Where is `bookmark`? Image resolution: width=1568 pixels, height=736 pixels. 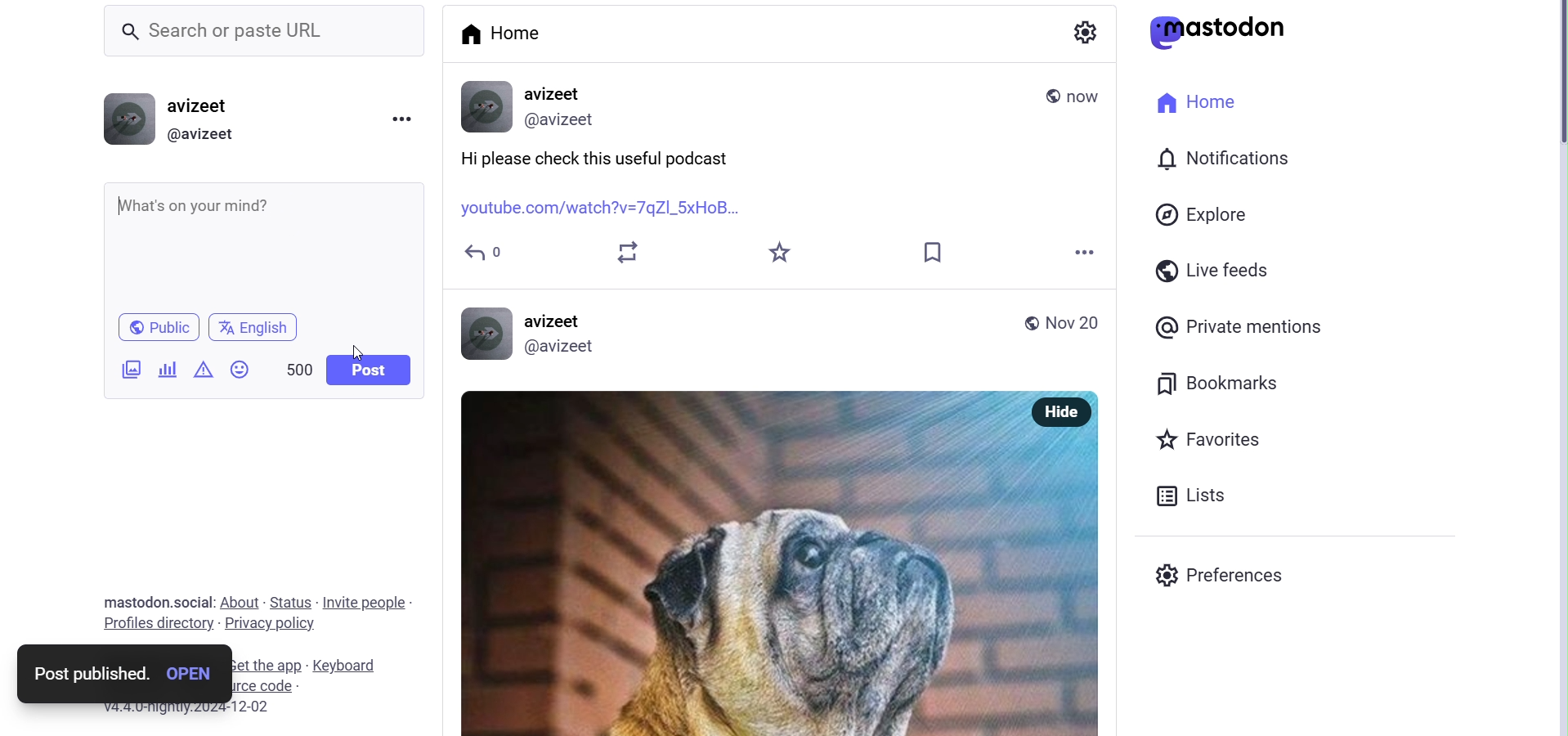 bookmark is located at coordinates (938, 253).